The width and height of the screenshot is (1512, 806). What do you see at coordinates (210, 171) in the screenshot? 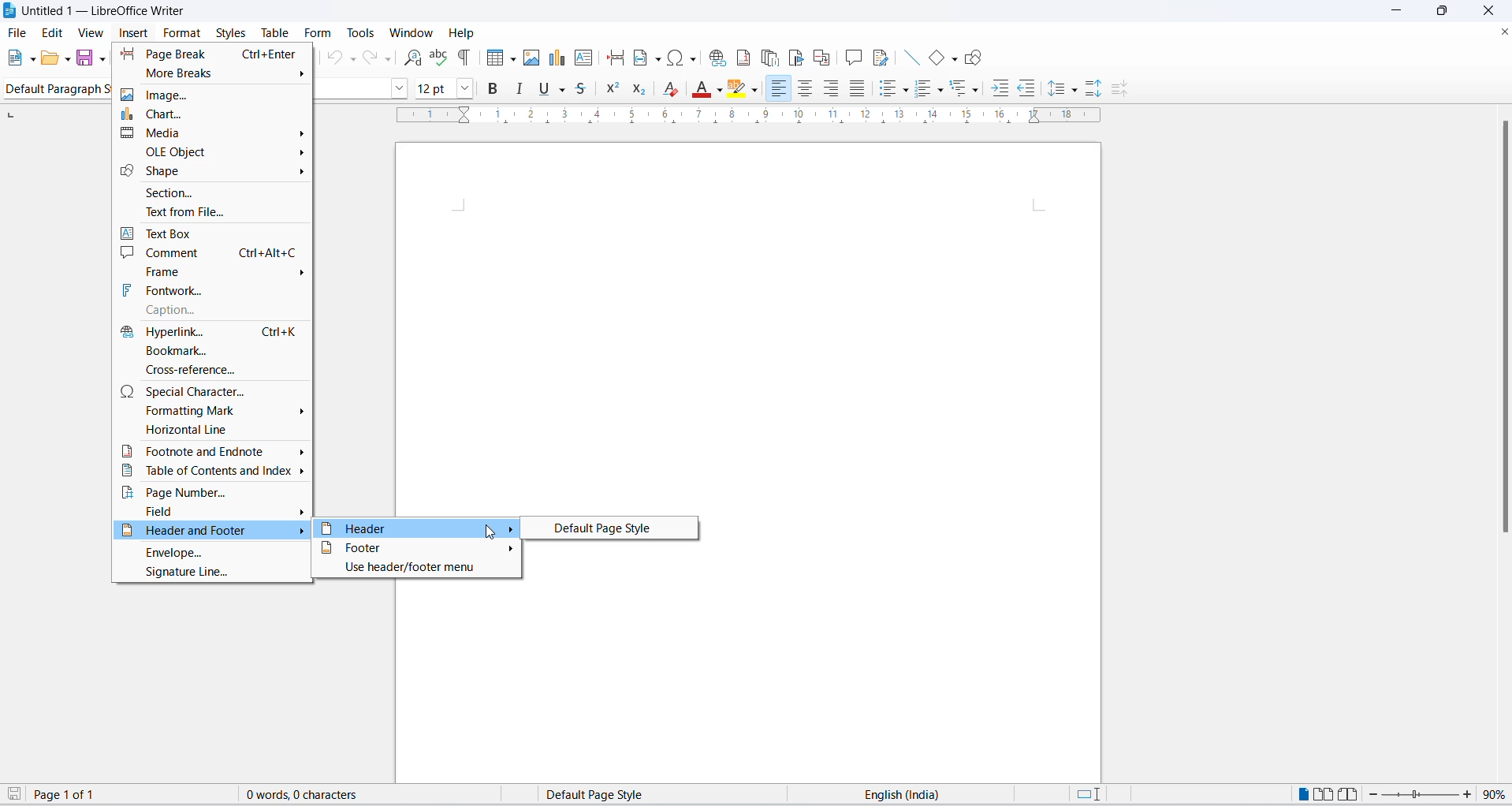
I see `SHAPE` at bounding box center [210, 171].